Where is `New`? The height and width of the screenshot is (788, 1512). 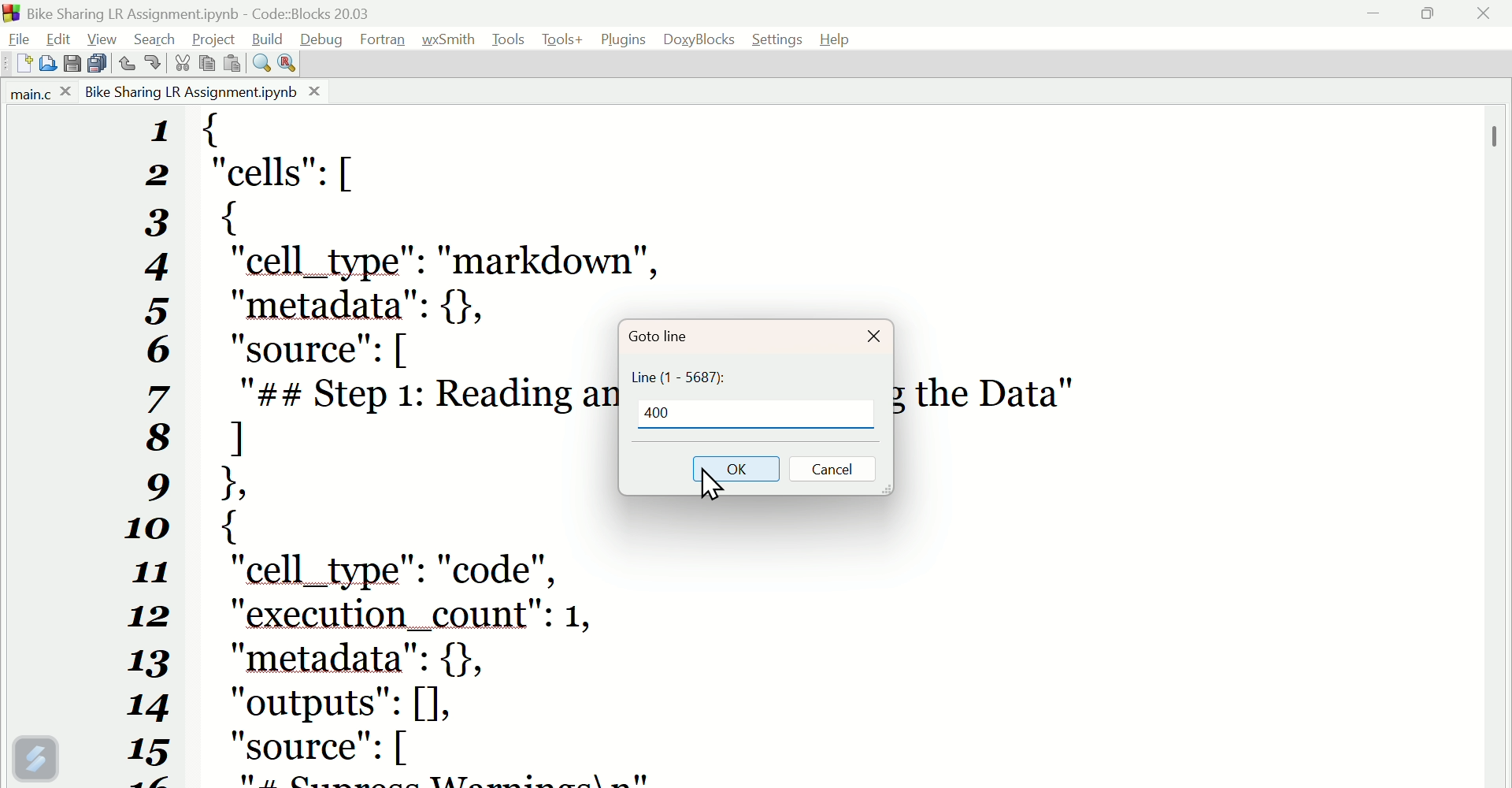
New is located at coordinates (18, 65).